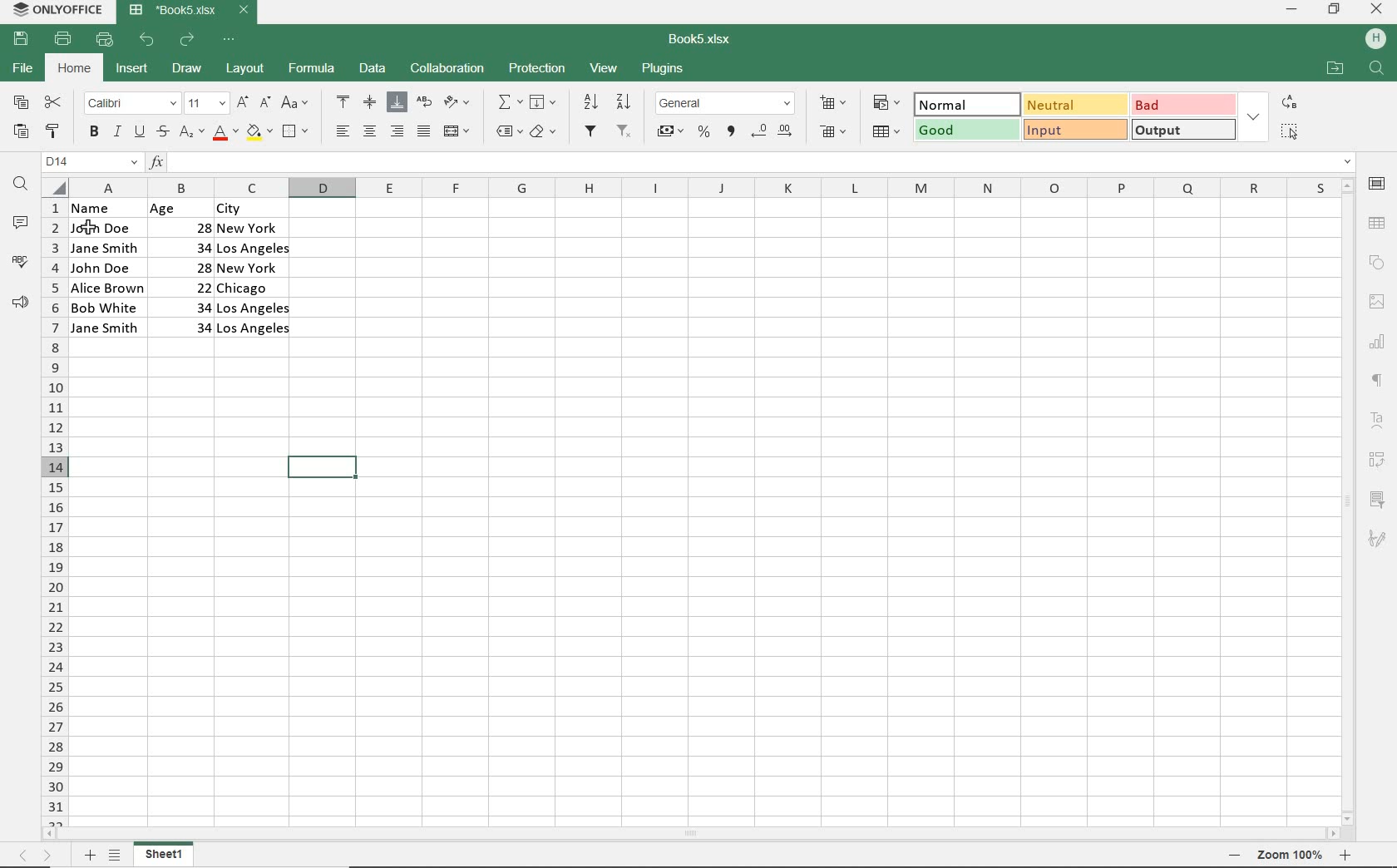  What do you see at coordinates (1074, 104) in the screenshot?
I see `NEUTRAL` at bounding box center [1074, 104].